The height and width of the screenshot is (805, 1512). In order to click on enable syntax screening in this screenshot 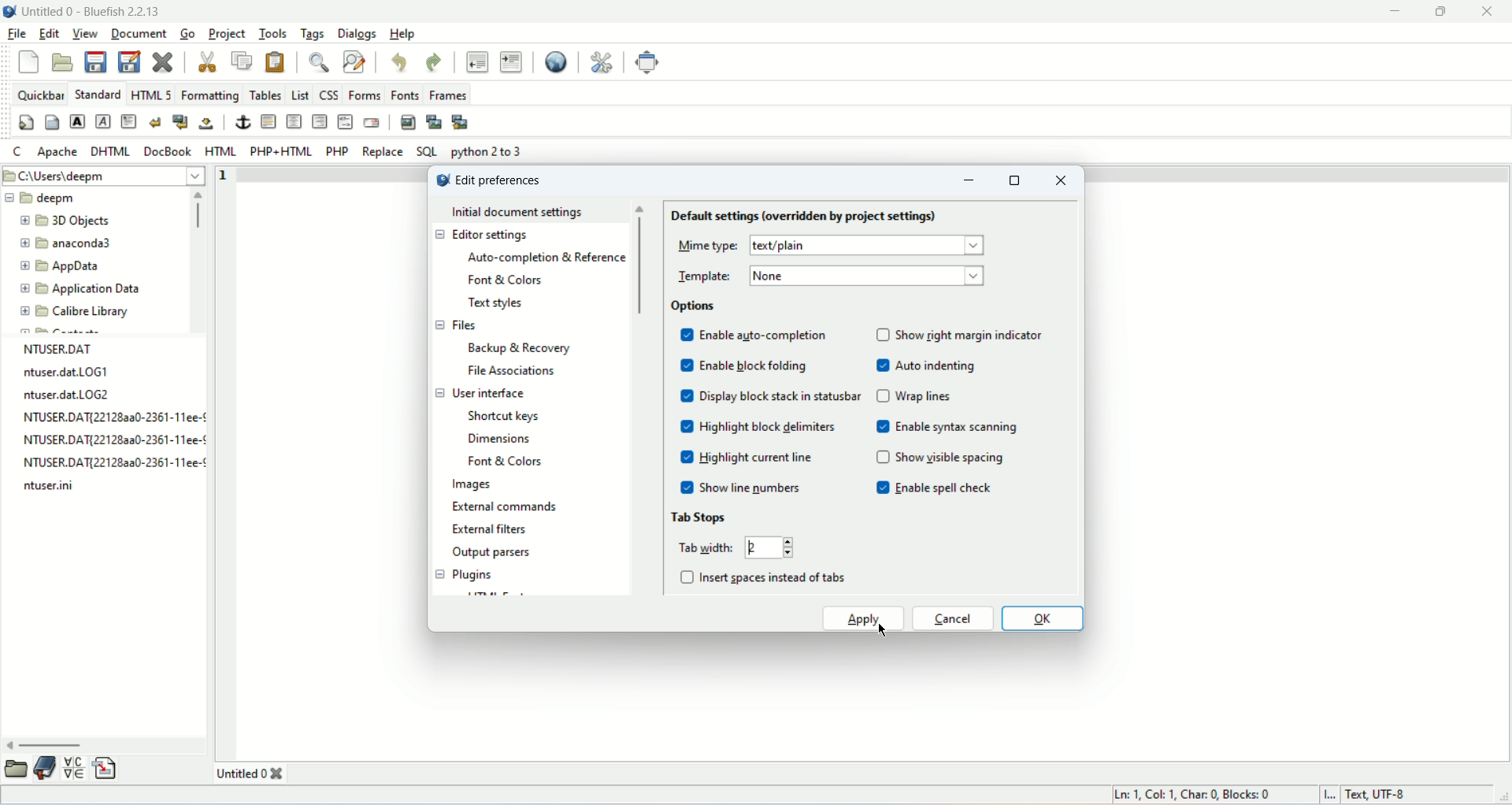, I will do `click(958, 428)`.